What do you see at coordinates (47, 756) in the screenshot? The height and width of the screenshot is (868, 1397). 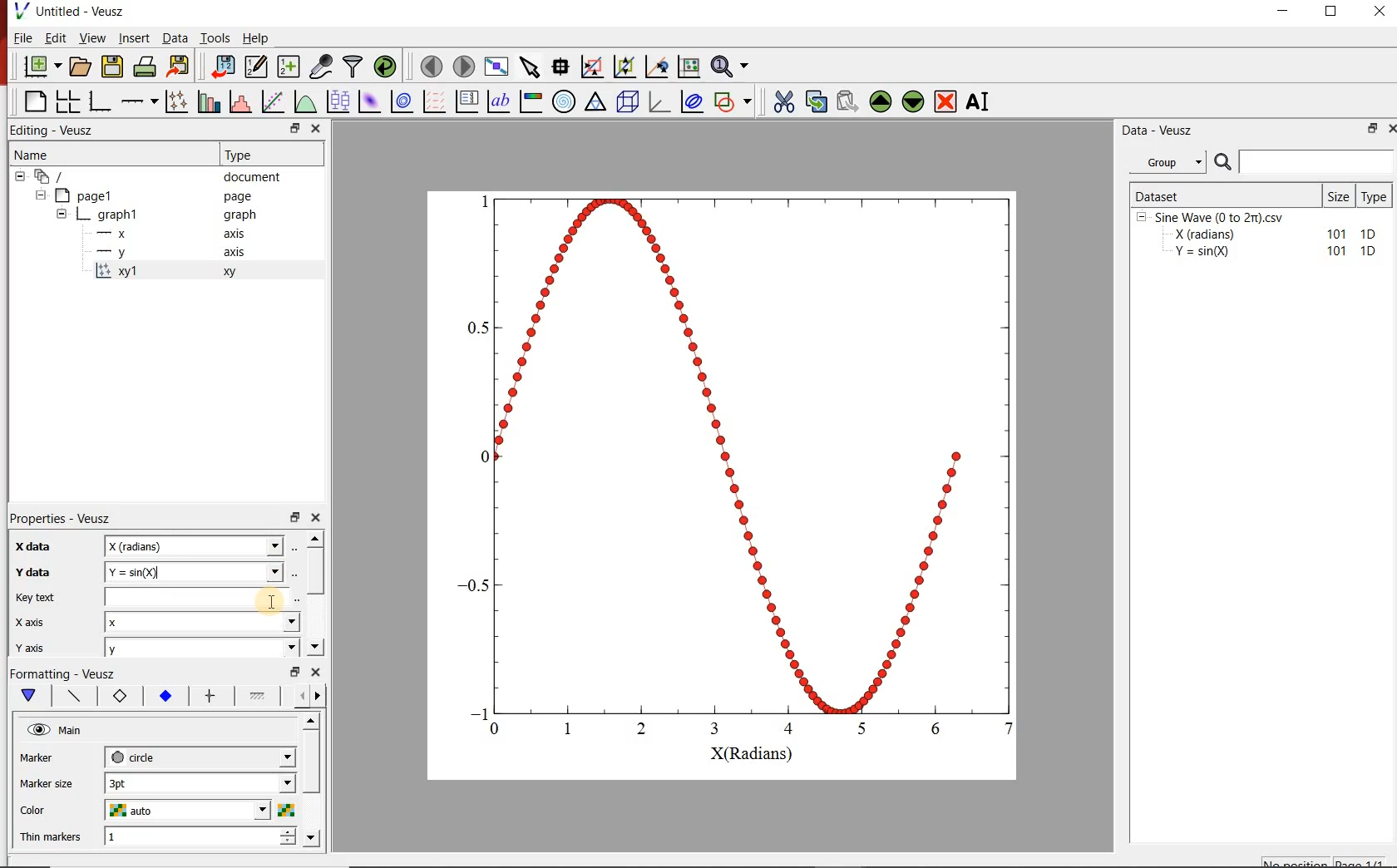 I see `Marker size` at bounding box center [47, 756].